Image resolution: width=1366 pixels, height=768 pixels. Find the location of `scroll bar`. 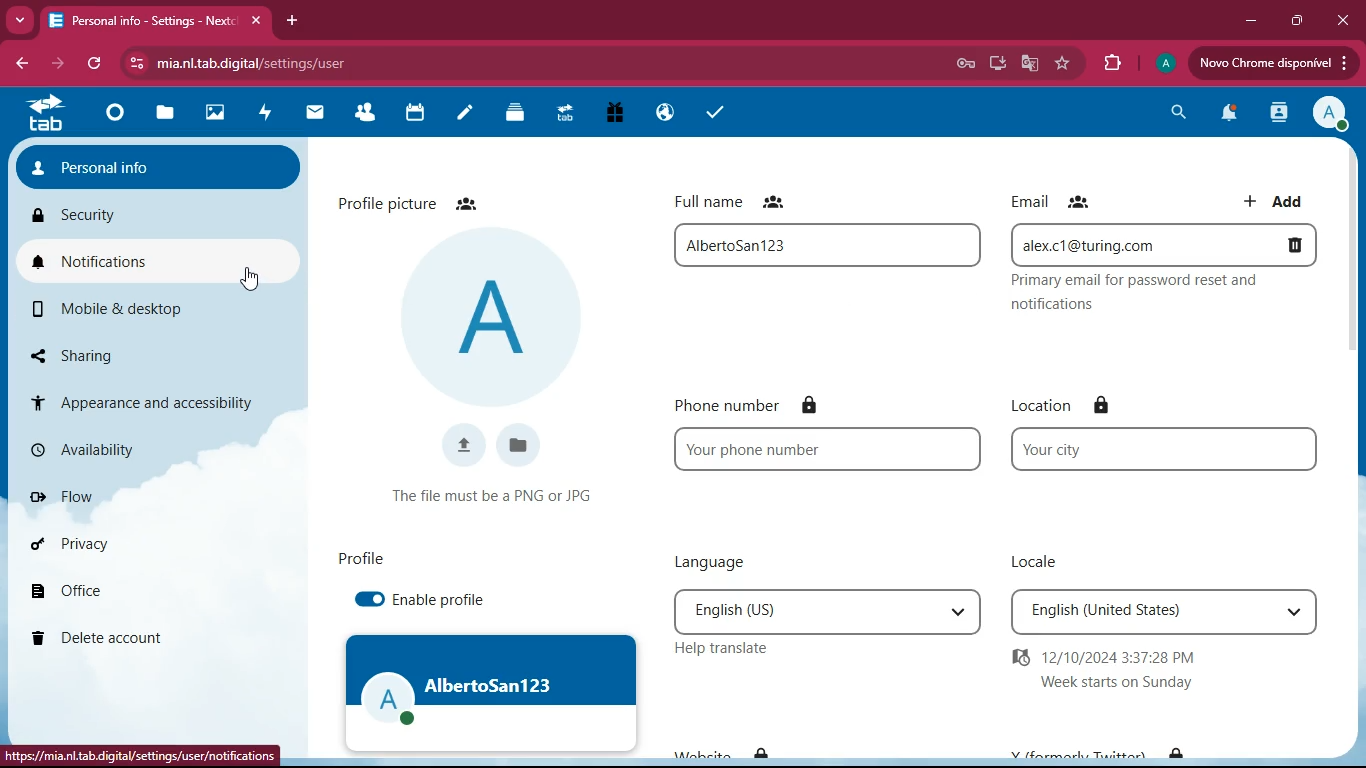

scroll bar is located at coordinates (1354, 249).